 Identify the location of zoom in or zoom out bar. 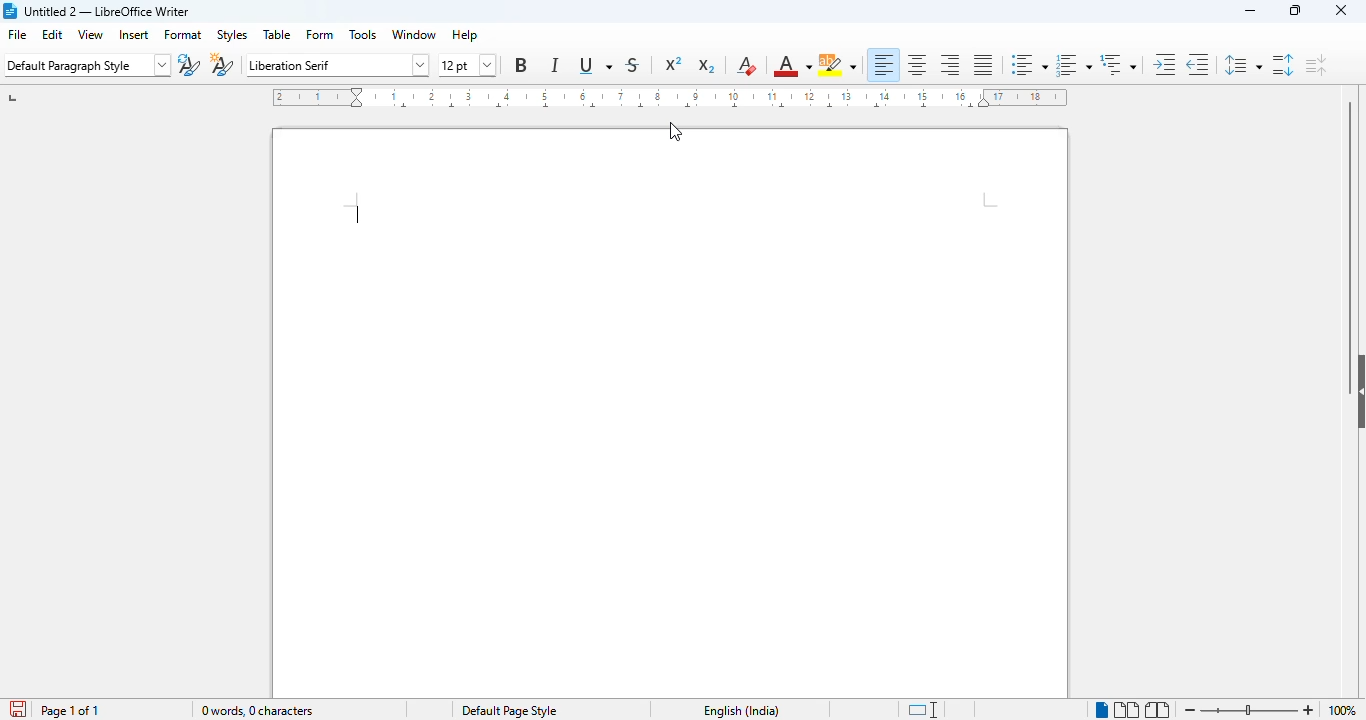
(1248, 711).